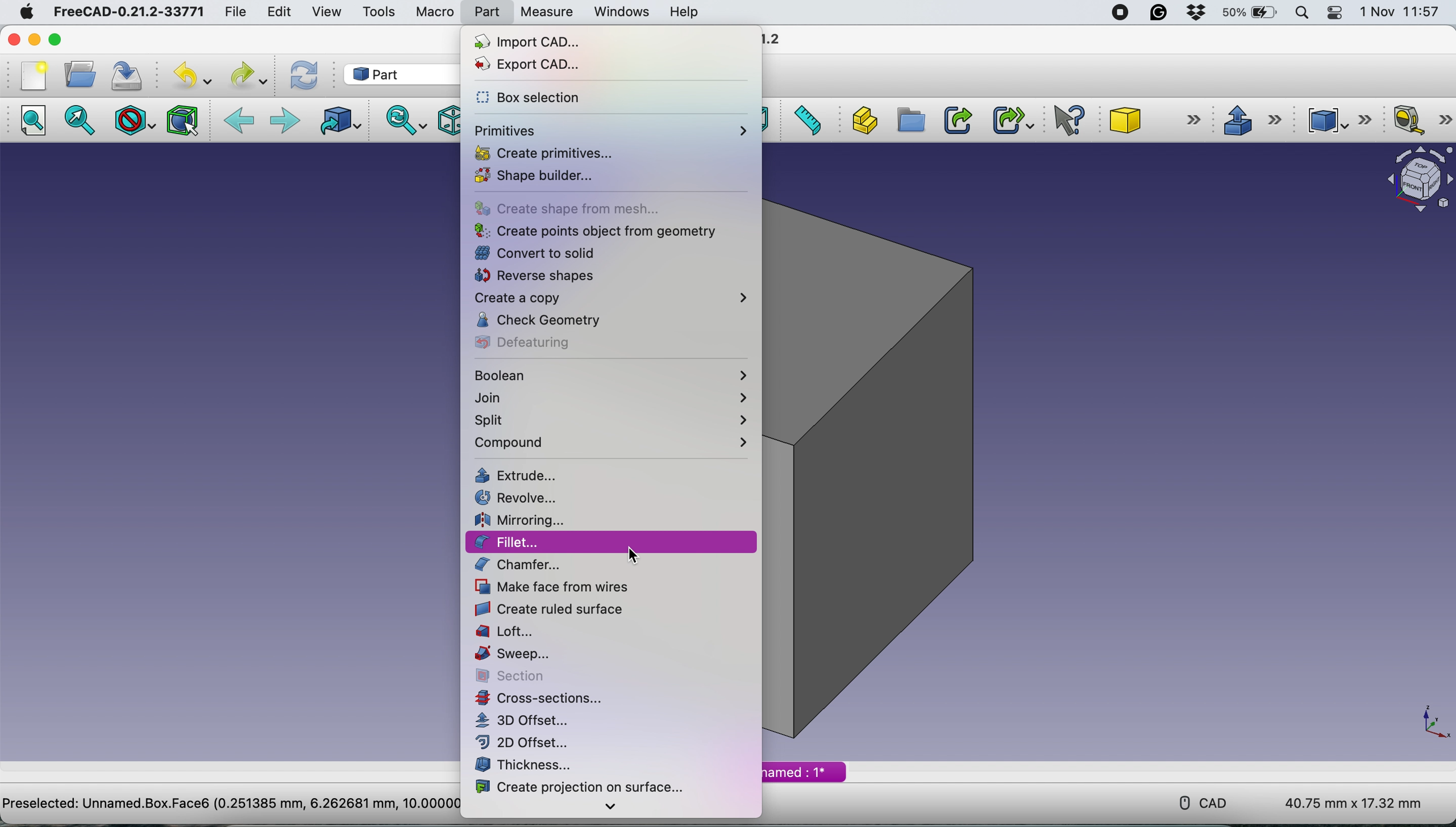 The width and height of the screenshot is (1456, 827). I want to click on fit all, so click(31, 121).